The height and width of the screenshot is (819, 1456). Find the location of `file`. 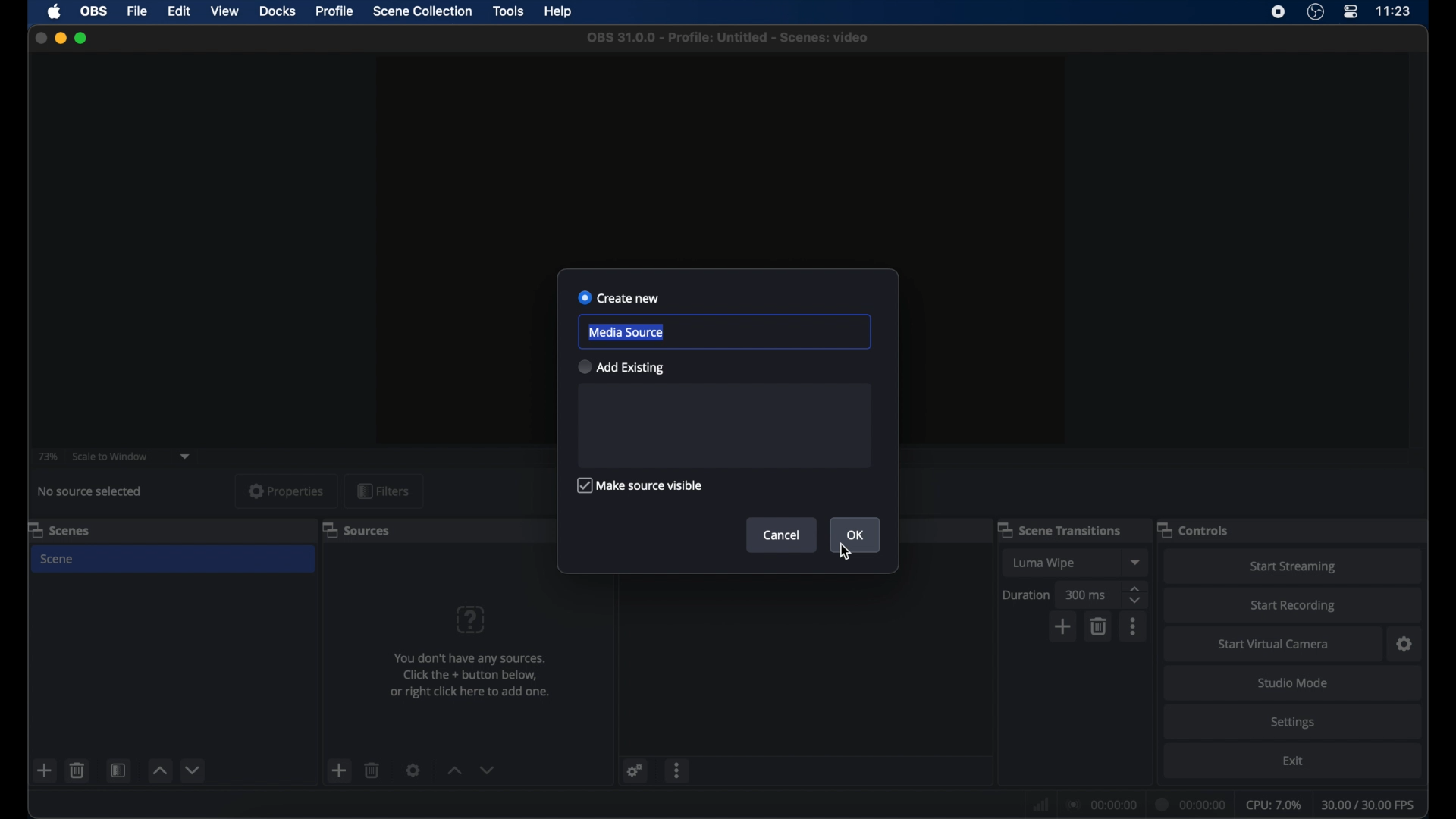

file is located at coordinates (137, 12).